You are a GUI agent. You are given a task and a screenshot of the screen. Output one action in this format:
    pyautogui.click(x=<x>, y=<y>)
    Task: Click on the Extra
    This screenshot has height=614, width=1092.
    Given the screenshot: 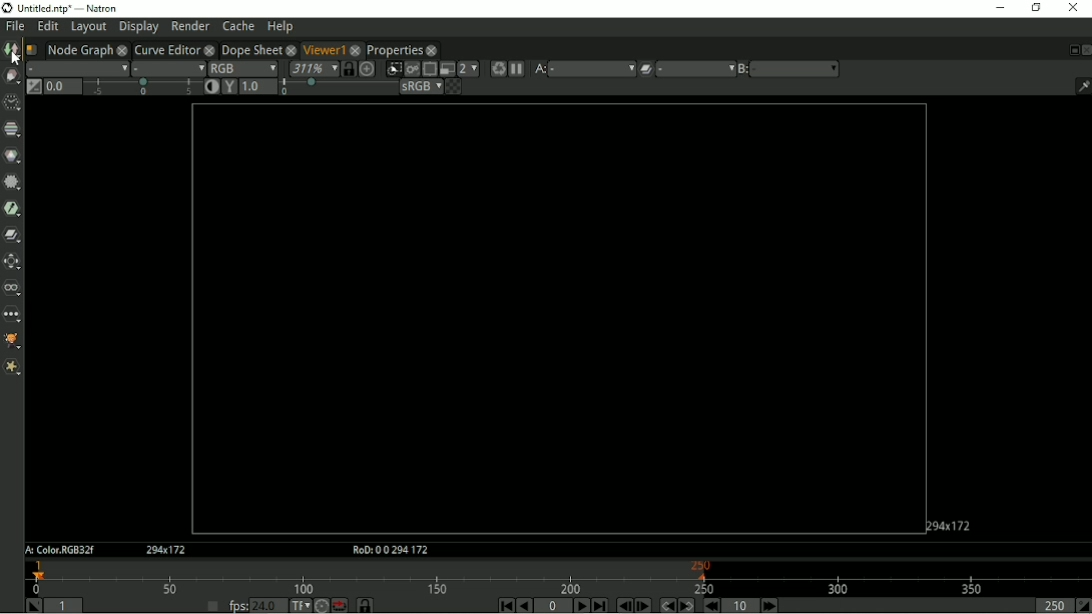 What is the action you would take?
    pyautogui.click(x=12, y=368)
    